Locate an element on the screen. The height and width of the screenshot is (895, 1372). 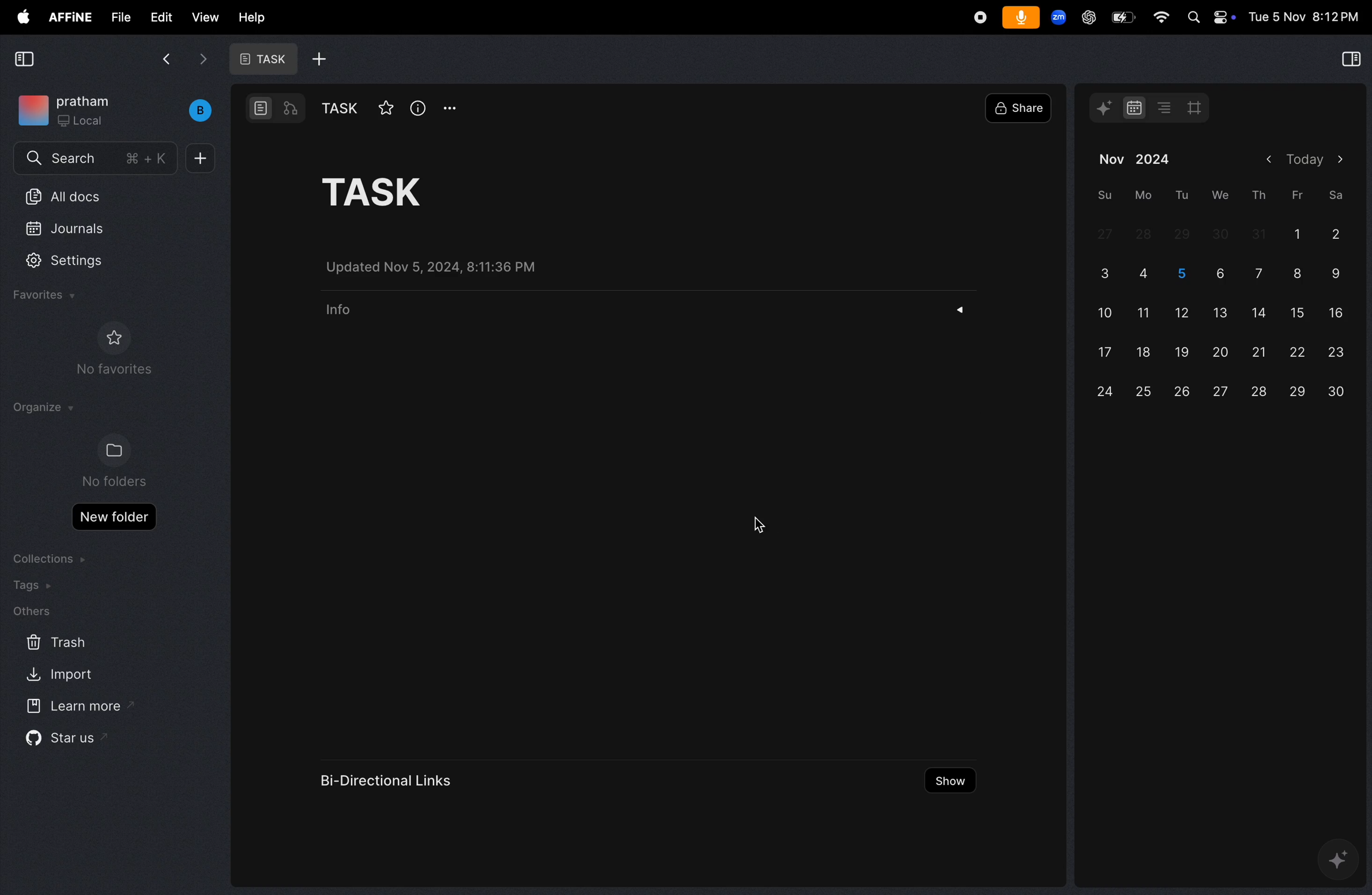
journals is located at coordinates (77, 226).